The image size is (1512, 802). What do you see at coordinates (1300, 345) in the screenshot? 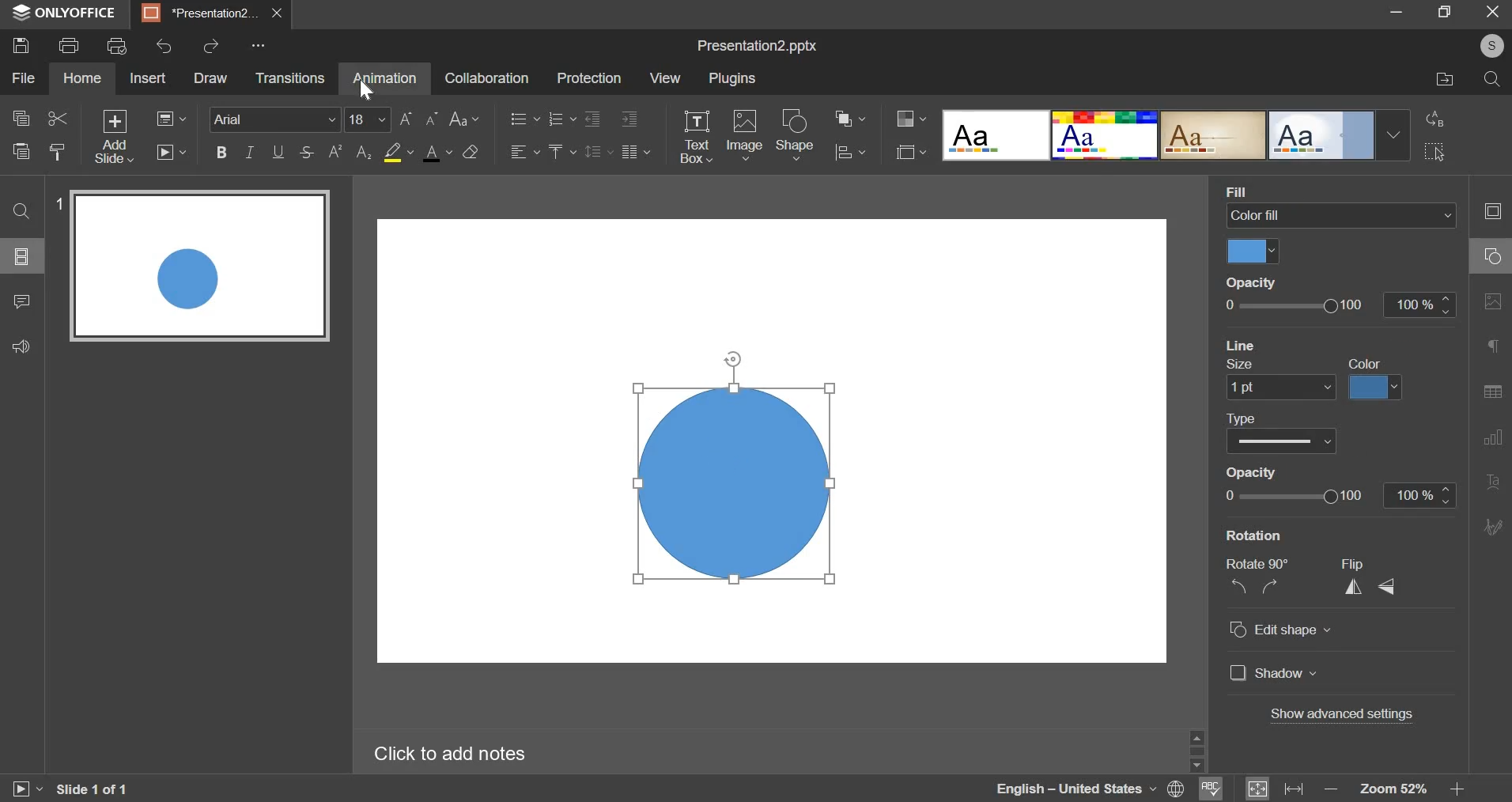
I see `reset background` at bounding box center [1300, 345].